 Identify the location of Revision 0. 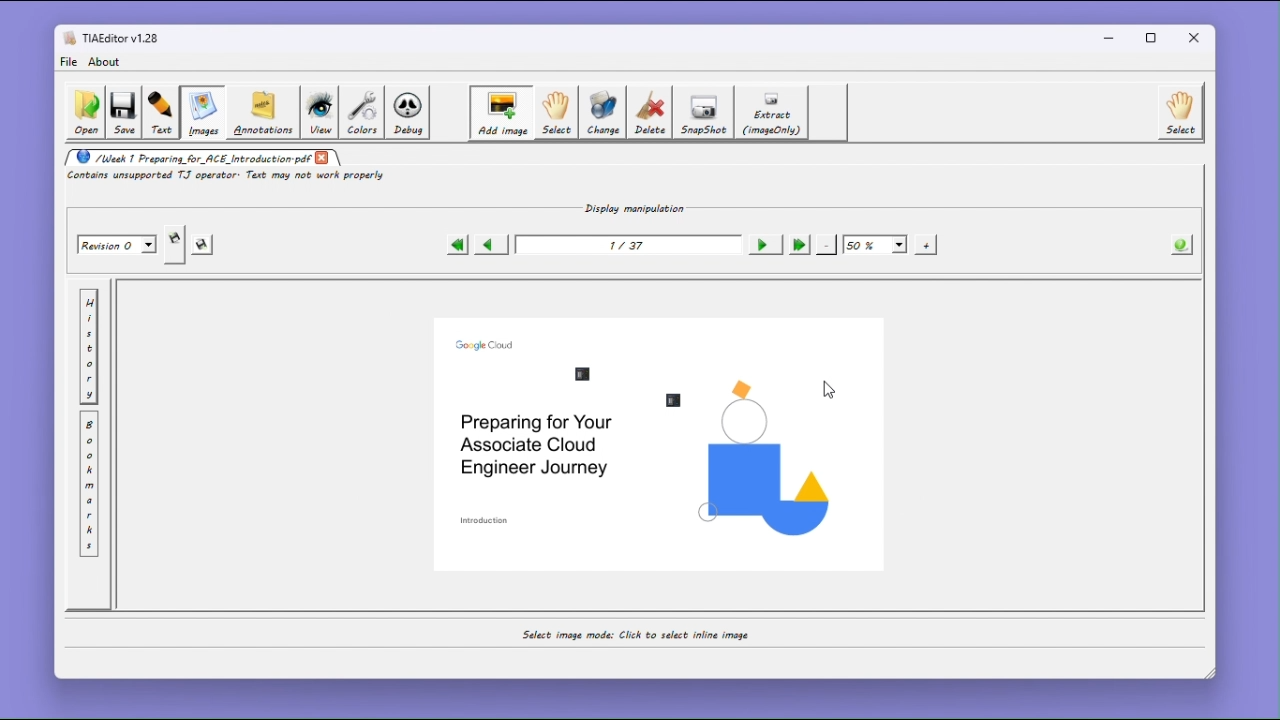
(118, 245).